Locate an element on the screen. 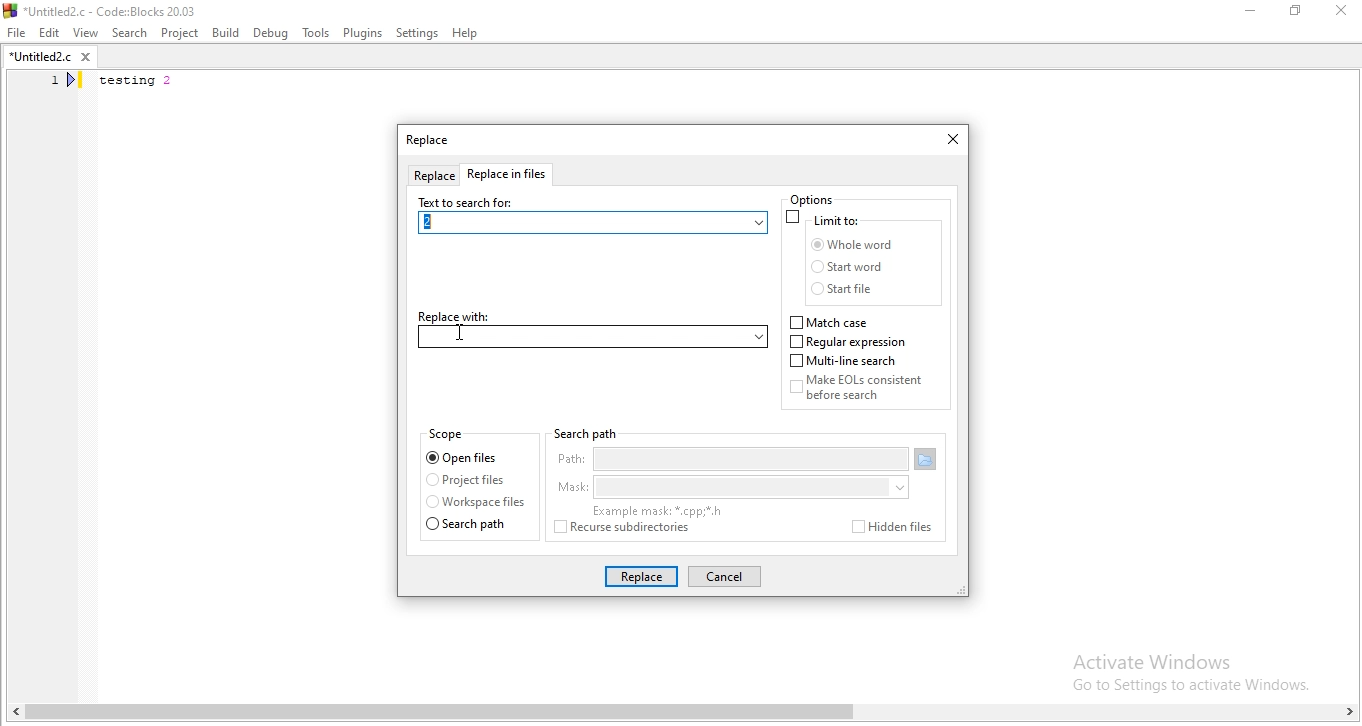 The width and height of the screenshot is (1362, 726). tab title is located at coordinates (428, 142).